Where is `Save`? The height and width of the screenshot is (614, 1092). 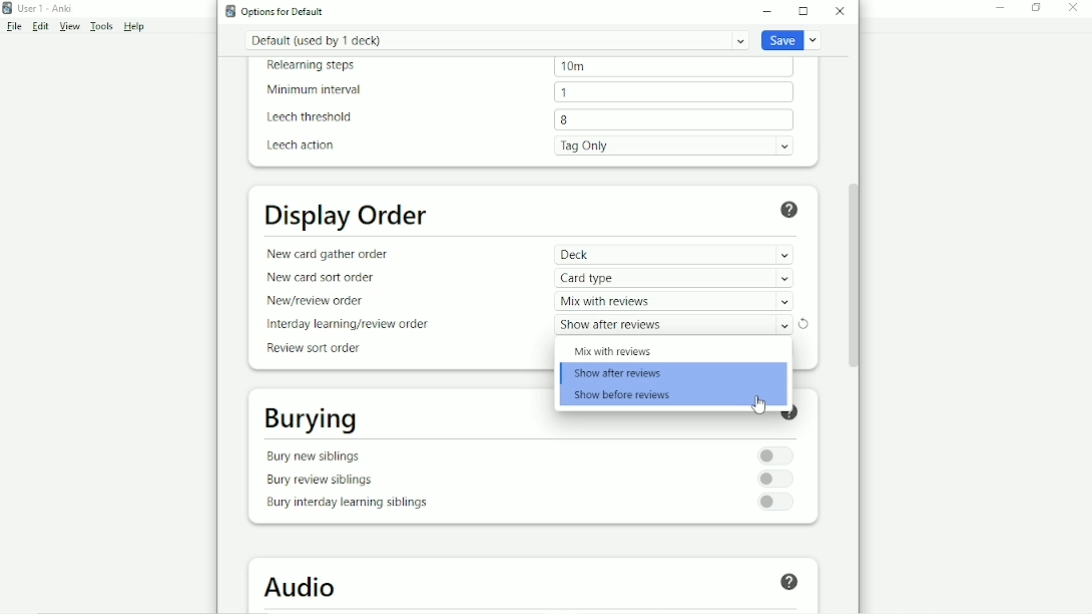
Save is located at coordinates (793, 39).